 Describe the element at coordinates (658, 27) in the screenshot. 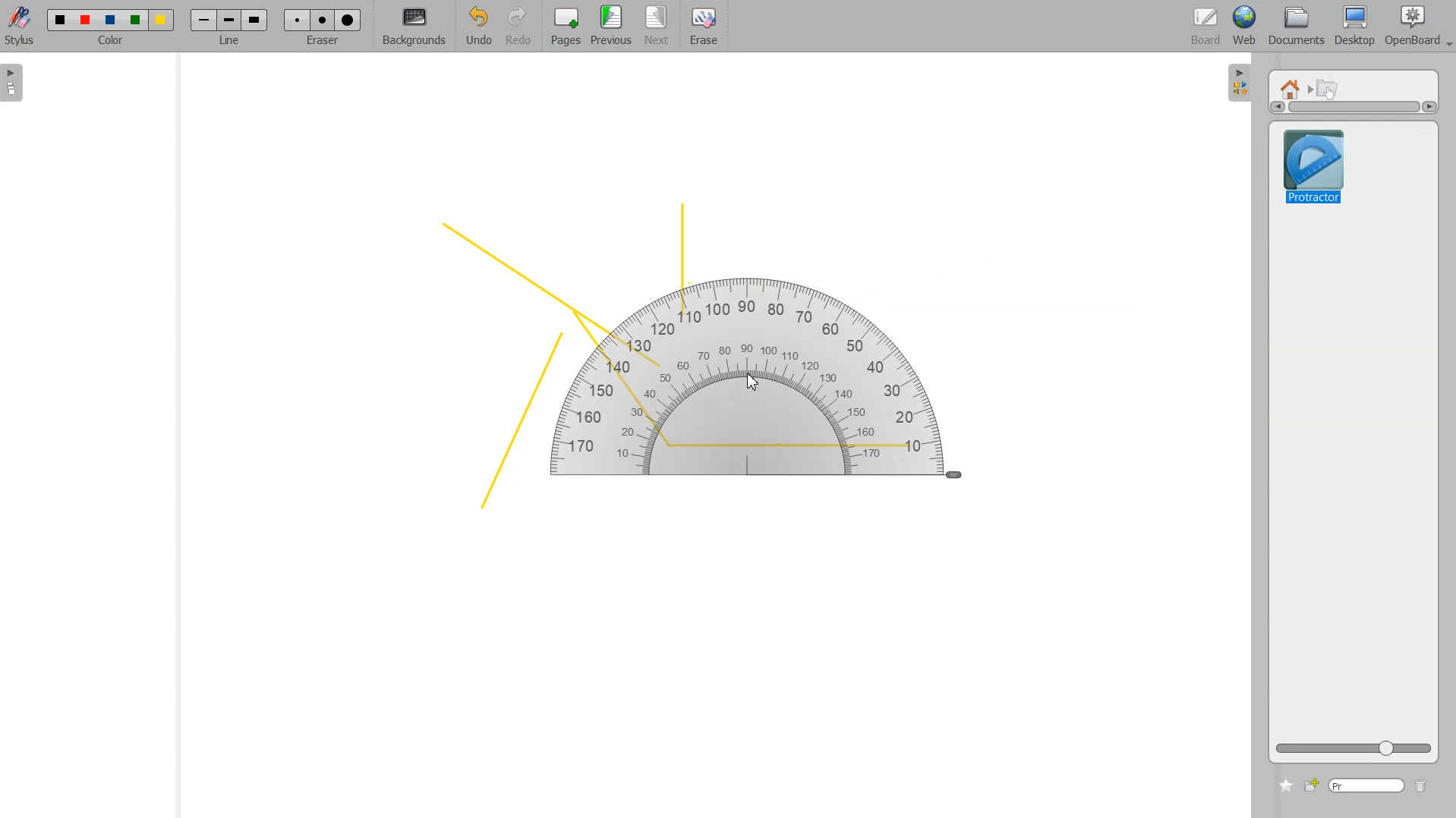

I see `Next` at that location.